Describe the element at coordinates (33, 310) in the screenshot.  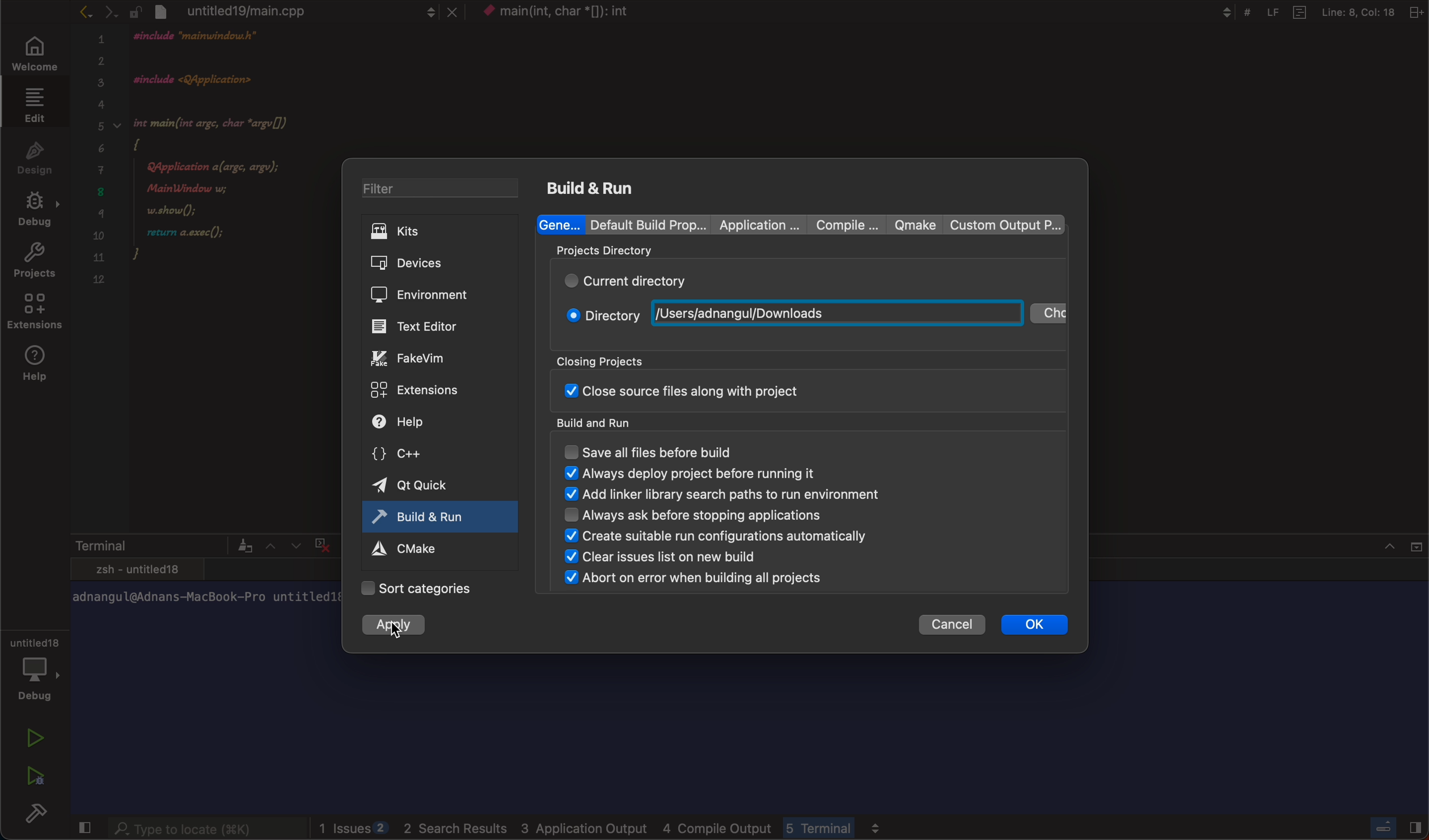
I see `extensions` at that location.